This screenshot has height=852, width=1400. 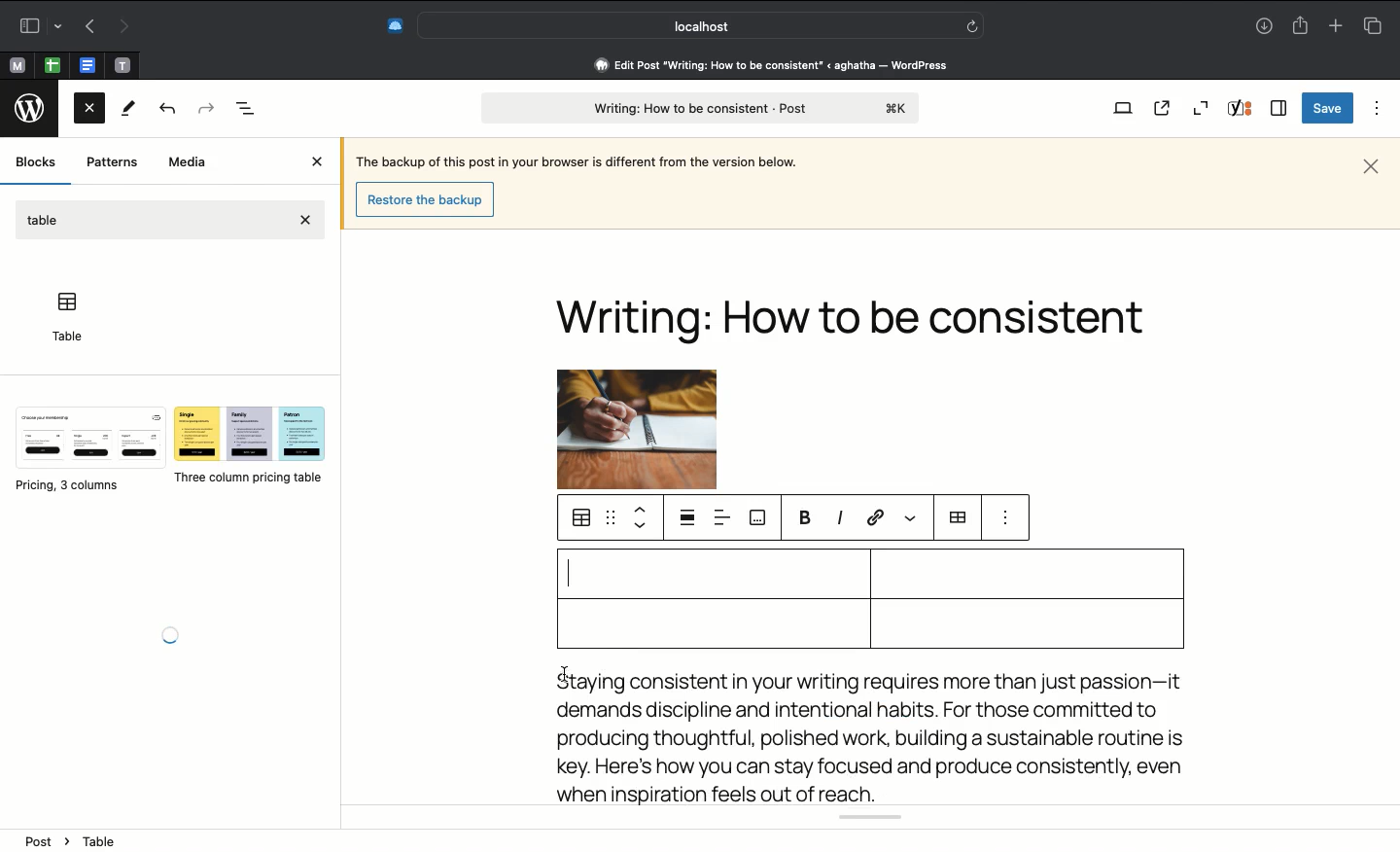 What do you see at coordinates (804, 519) in the screenshot?
I see `Bol` at bounding box center [804, 519].